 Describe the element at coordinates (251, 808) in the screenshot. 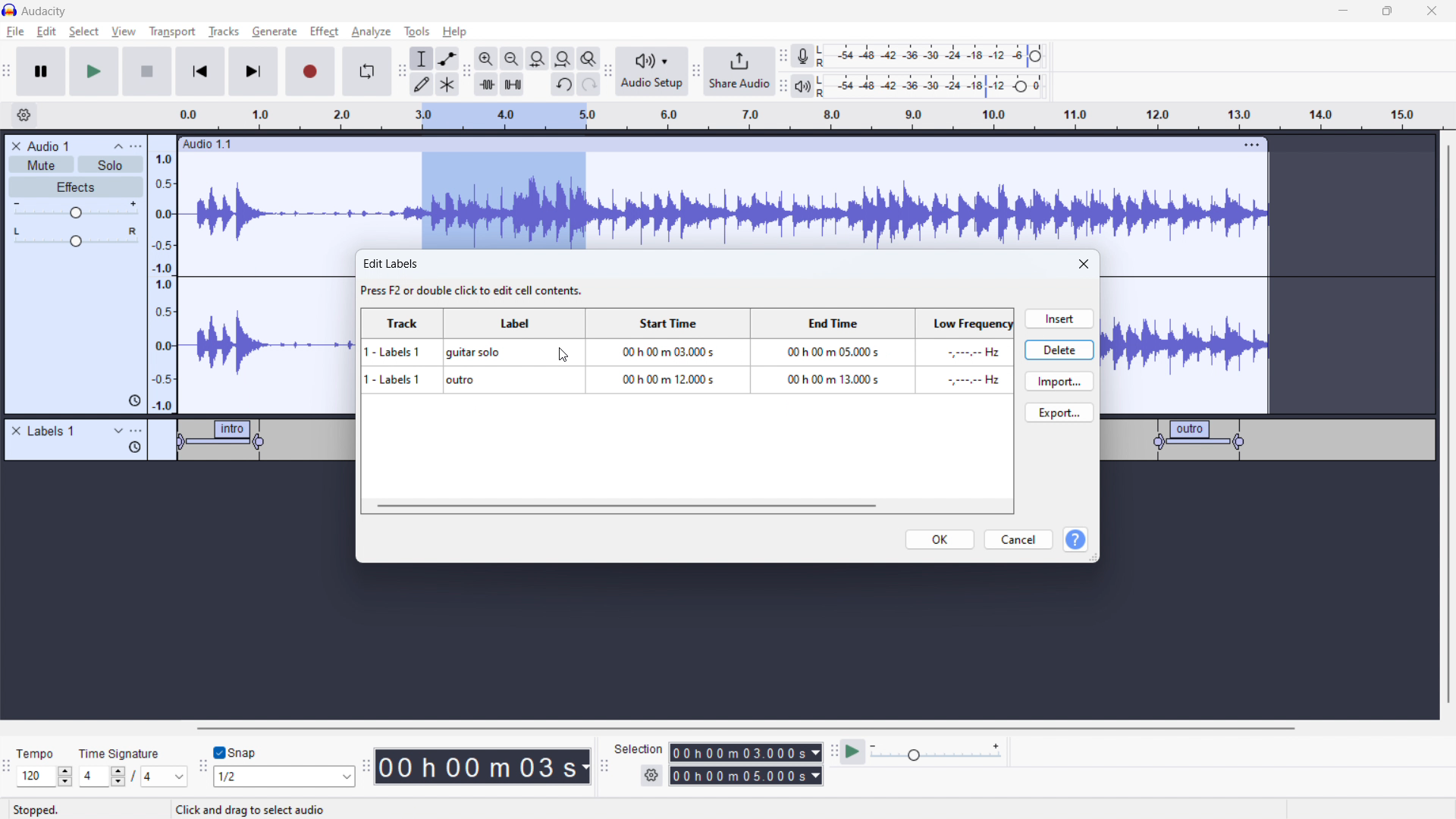

I see `click and drag to select audio` at that location.